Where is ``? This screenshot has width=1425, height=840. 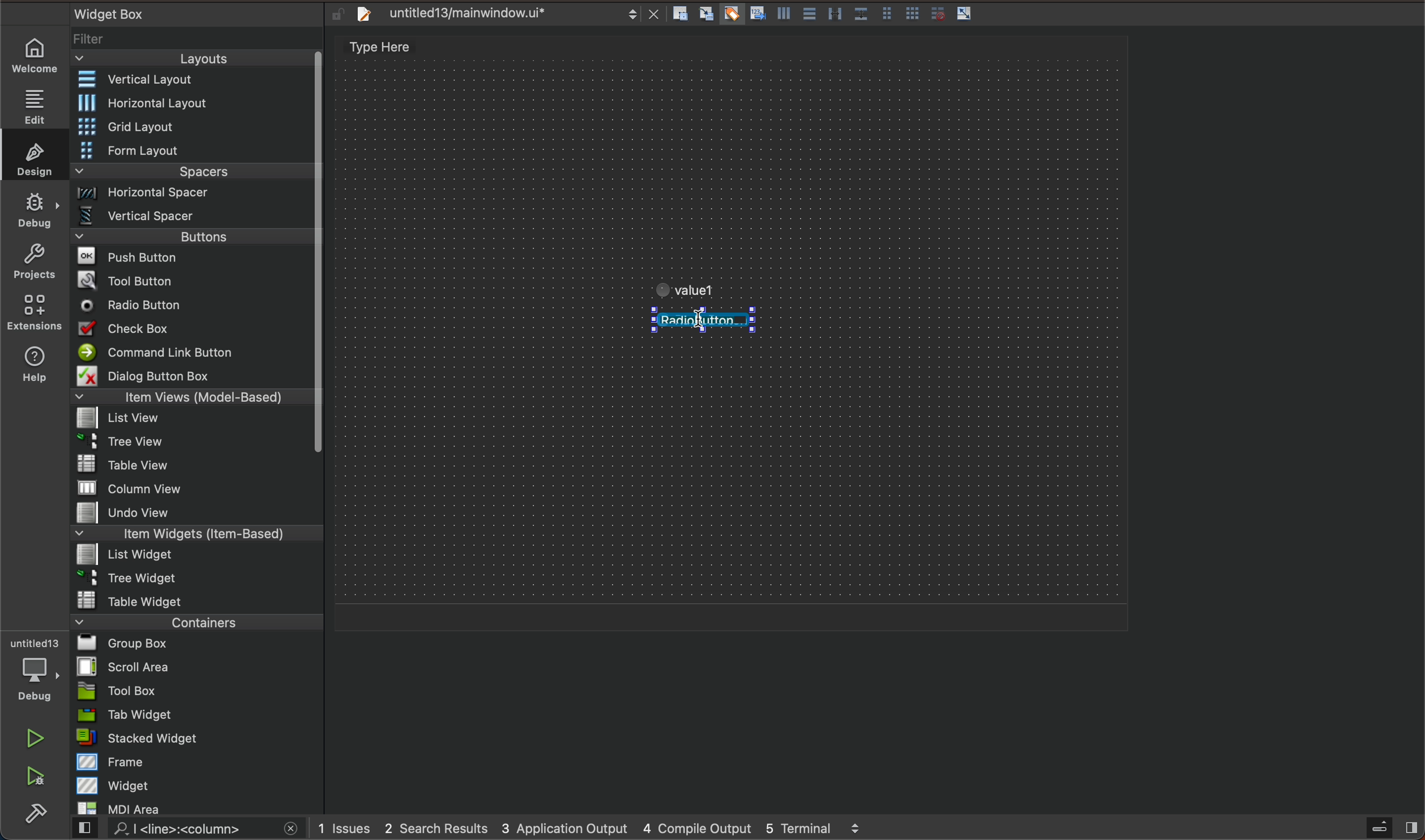  is located at coordinates (935, 14).